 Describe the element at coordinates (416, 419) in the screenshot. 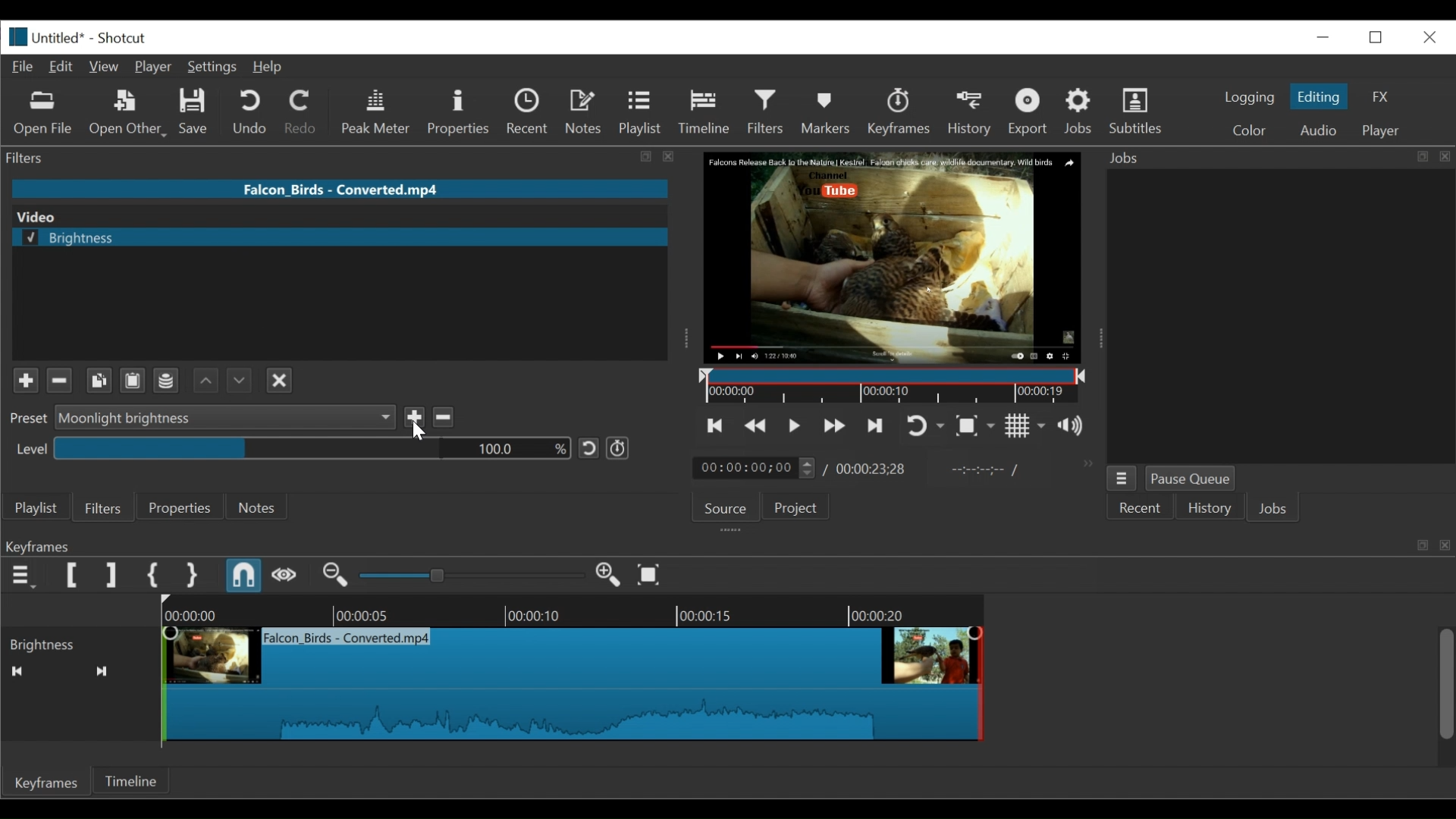

I see `Save ` at that location.